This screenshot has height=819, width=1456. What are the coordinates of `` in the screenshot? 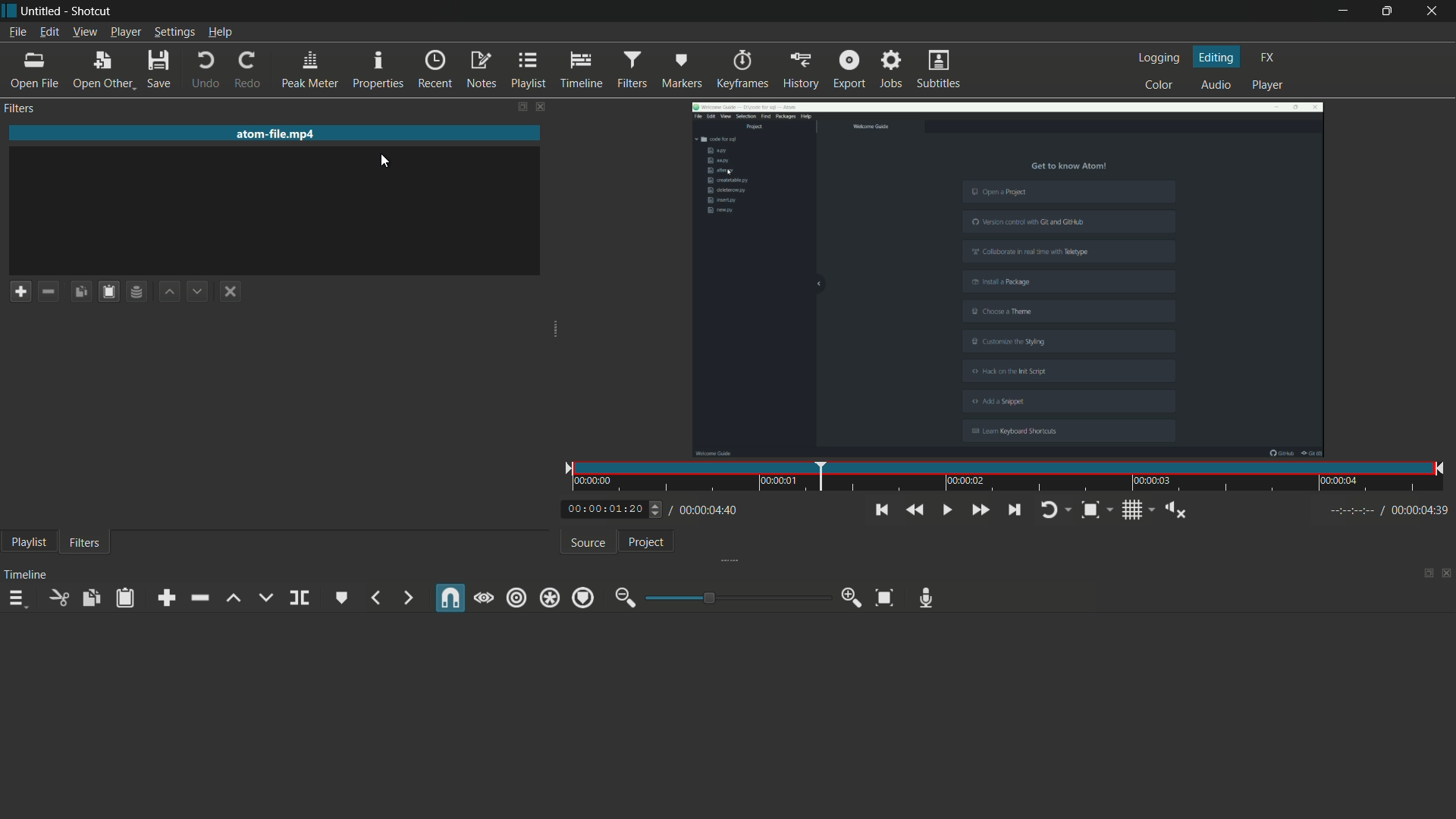 It's located at (657, 510).